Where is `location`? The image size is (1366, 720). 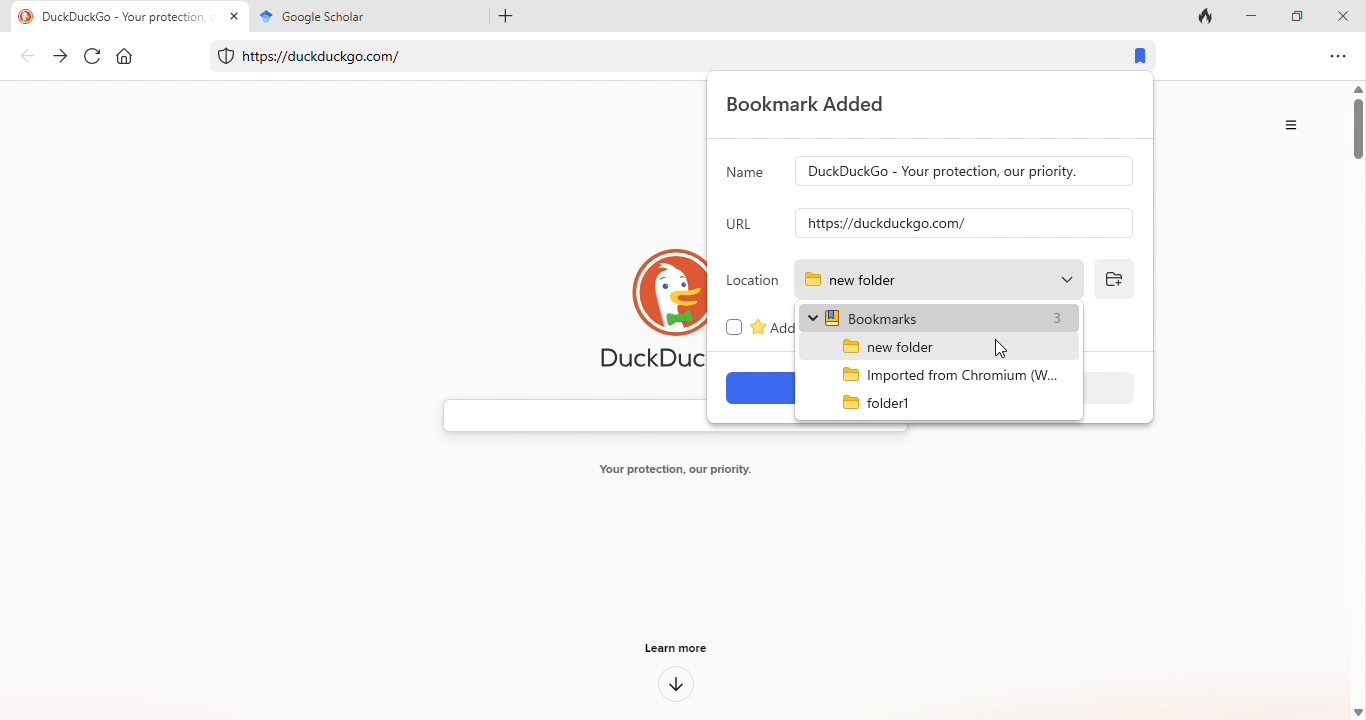
location is located at coordinates (752, 281).